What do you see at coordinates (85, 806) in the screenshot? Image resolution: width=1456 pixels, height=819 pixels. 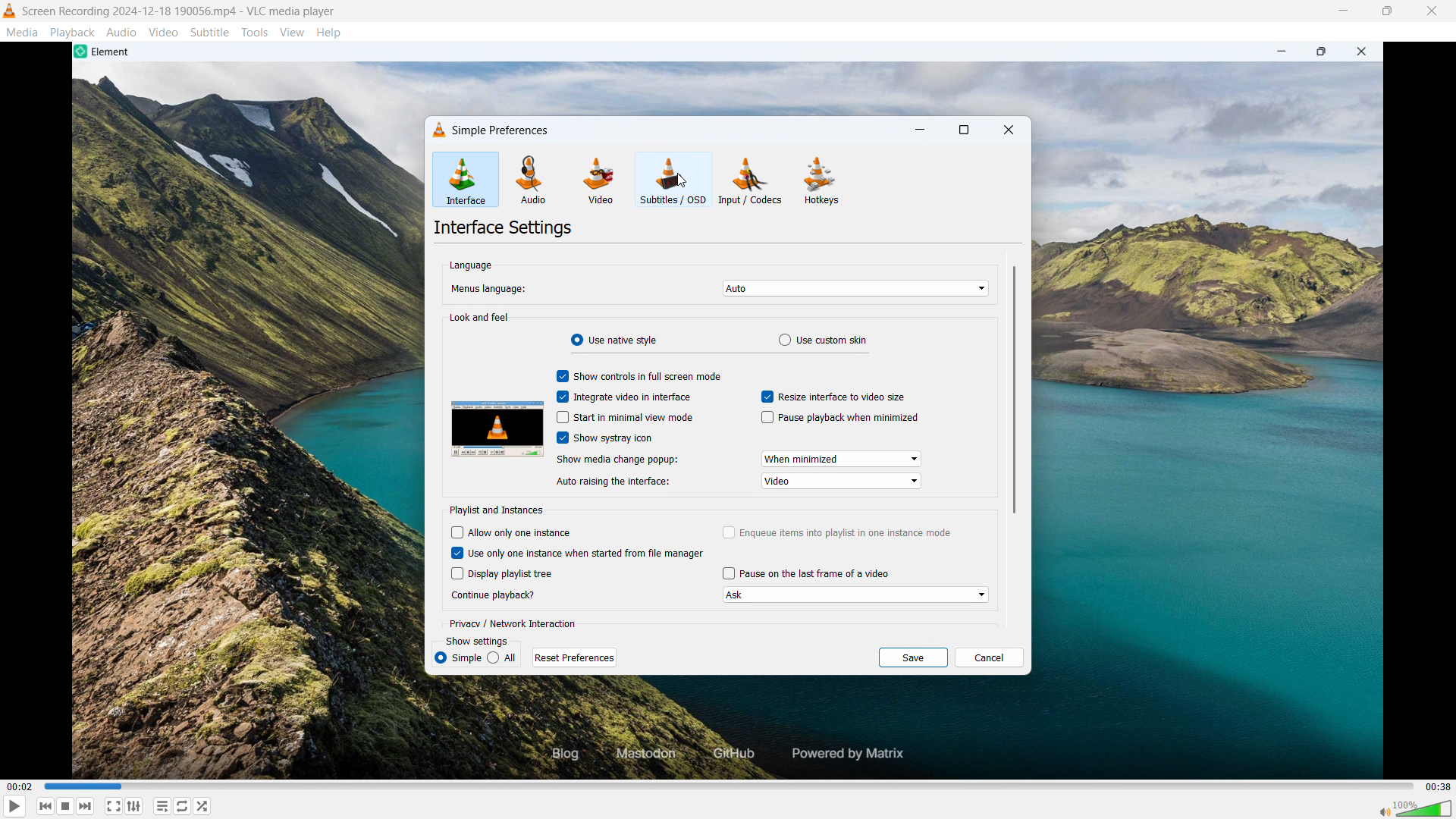 I see `forward or next media` at bounding box center [85, 806].